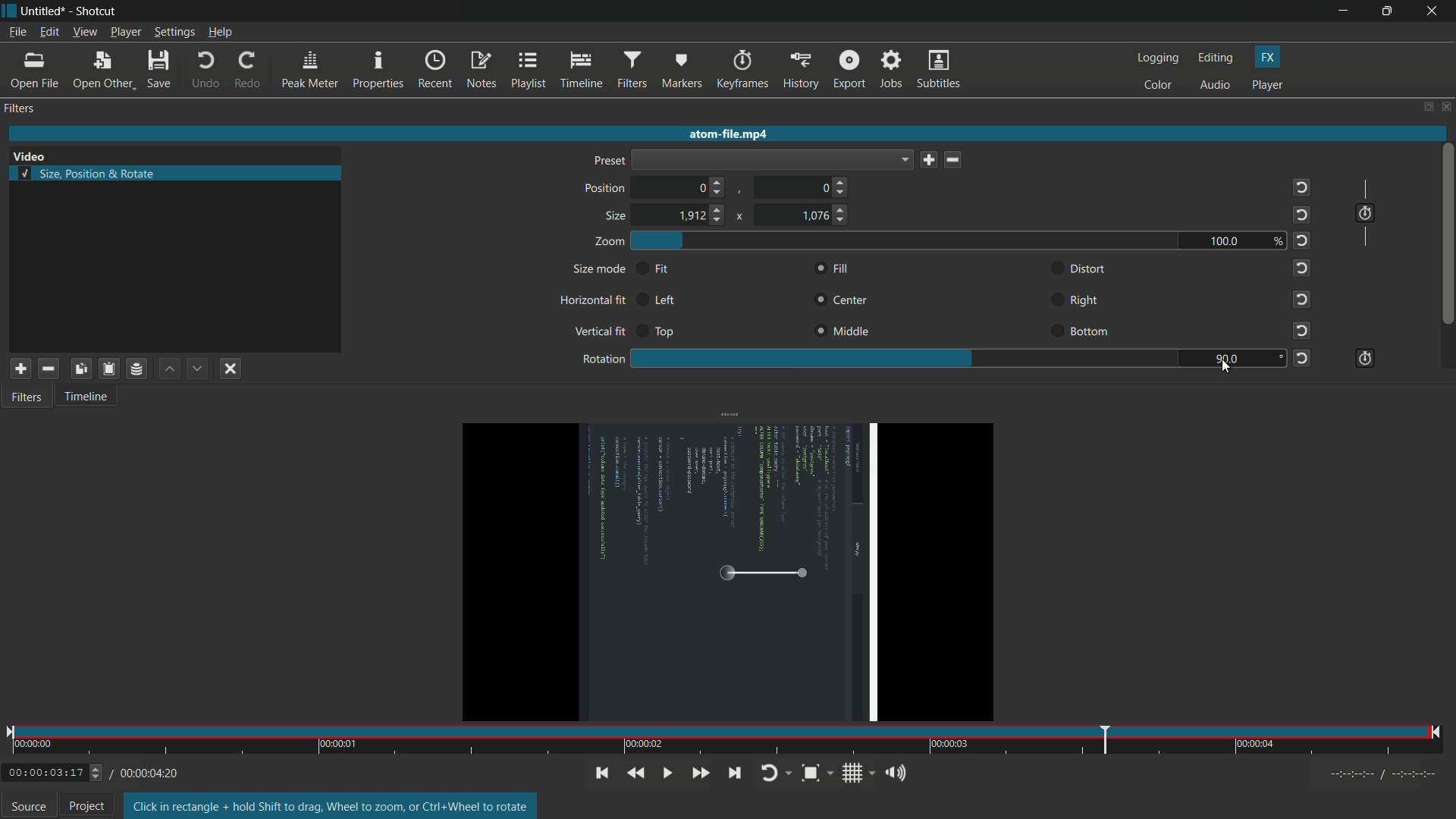 This screenshot has width=1456, height=819. Describe the element at coordinates (84, 33) in the screenshot. I see `view menu` at that location.